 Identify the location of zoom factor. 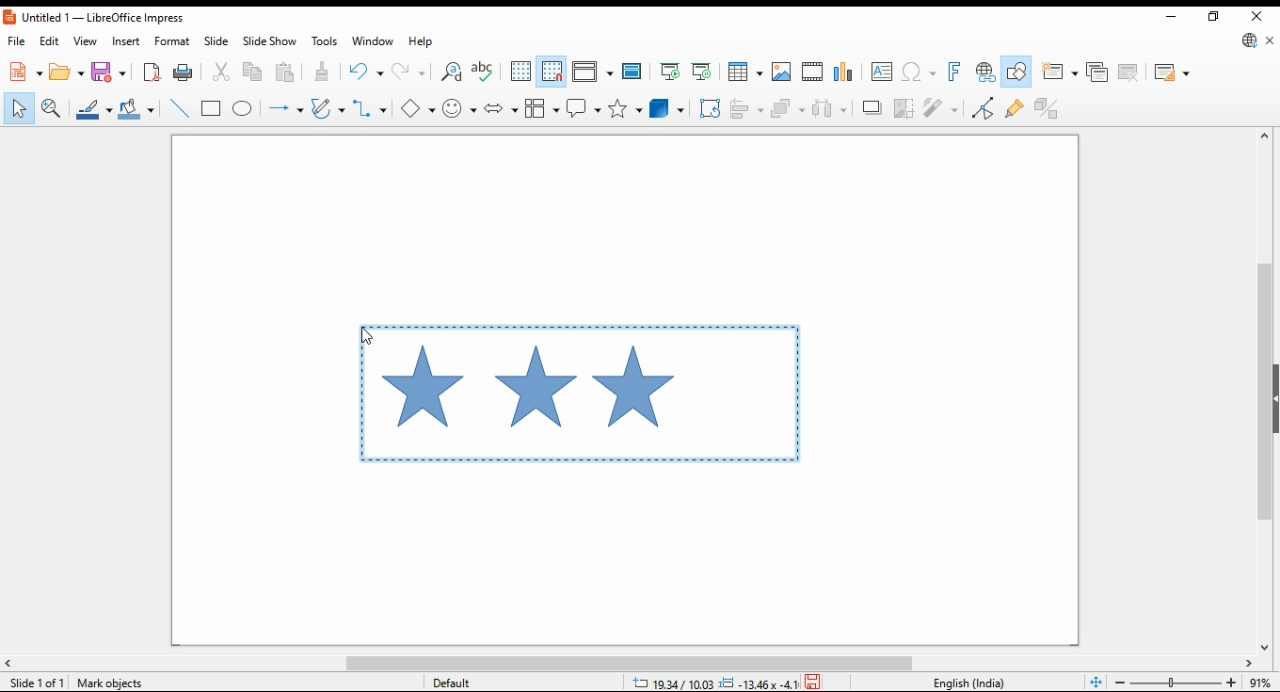
(1261, 682).